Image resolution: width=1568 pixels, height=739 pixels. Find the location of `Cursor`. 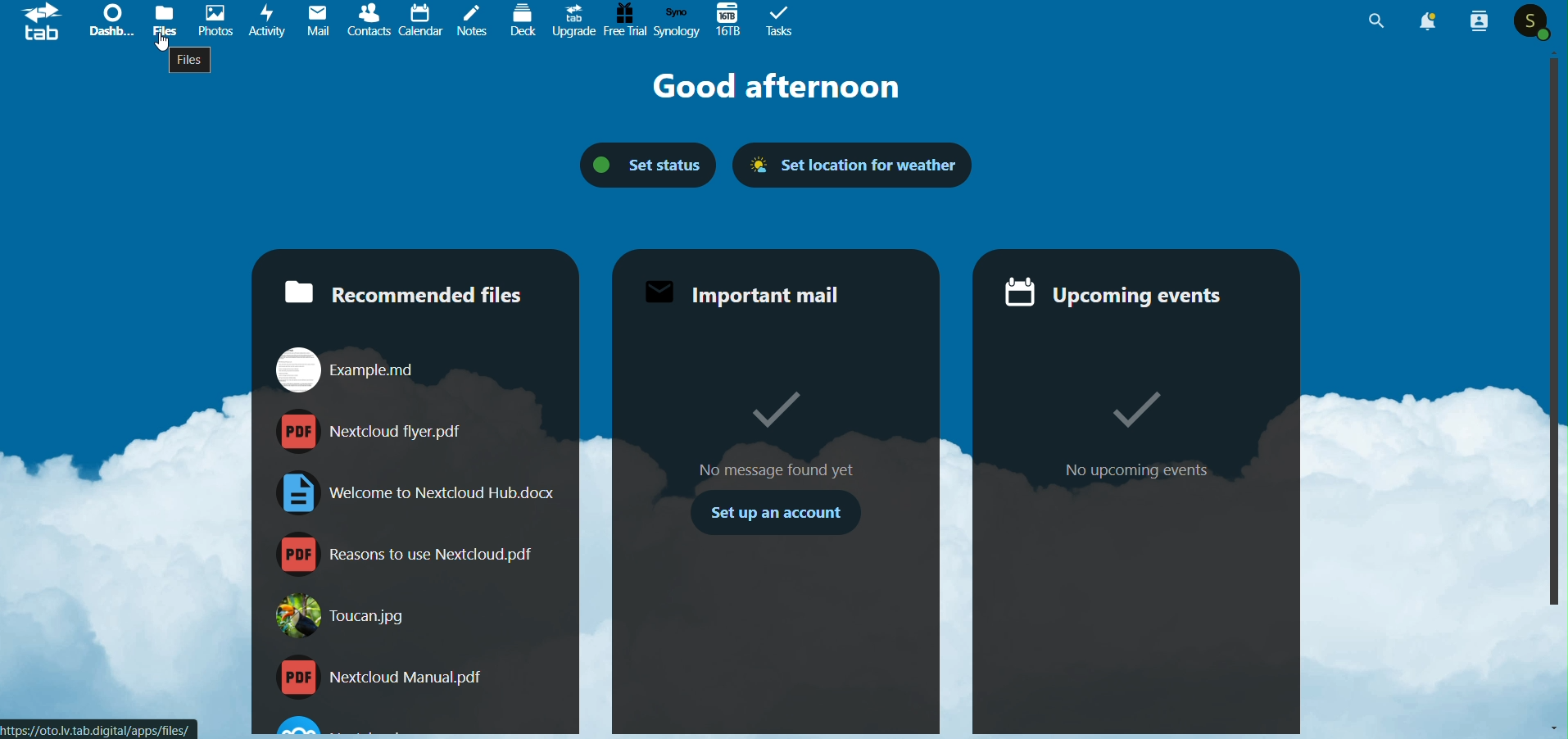

Cursor is located at coordinates (160, 43).